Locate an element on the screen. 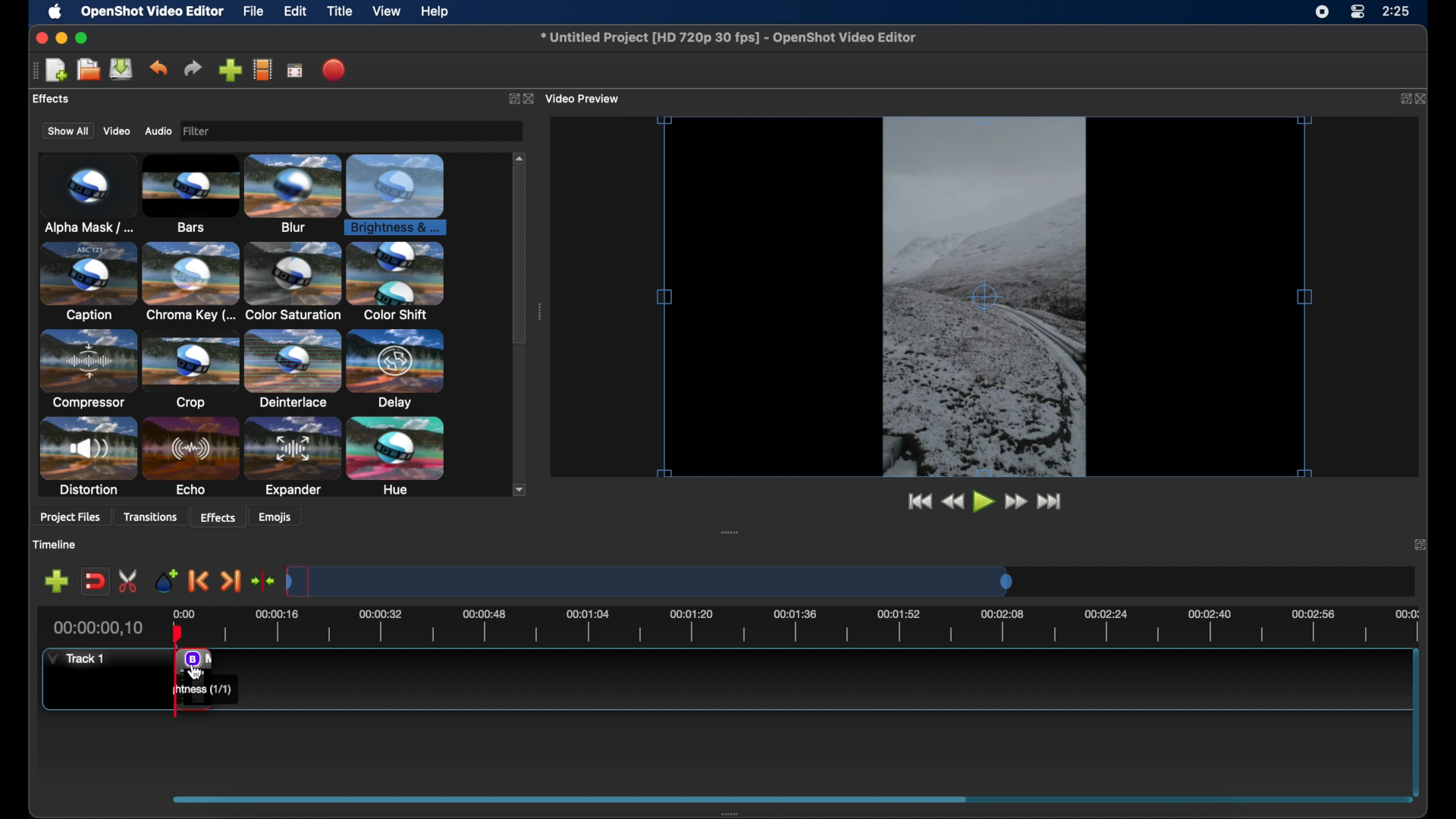  expand is located at coordinates (1403, 99).